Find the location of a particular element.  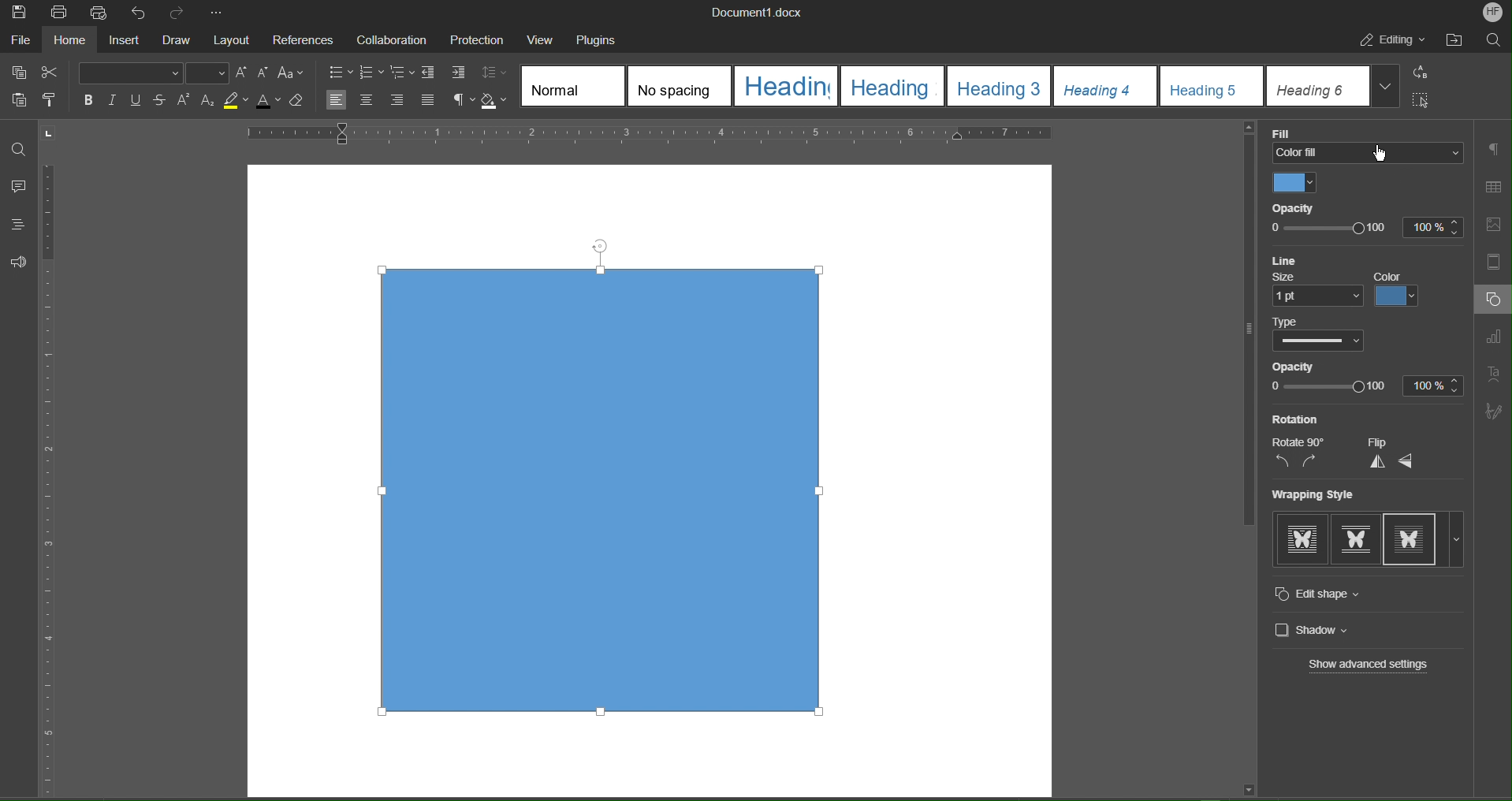

Heading 1 is located at coordinates (785, 84).